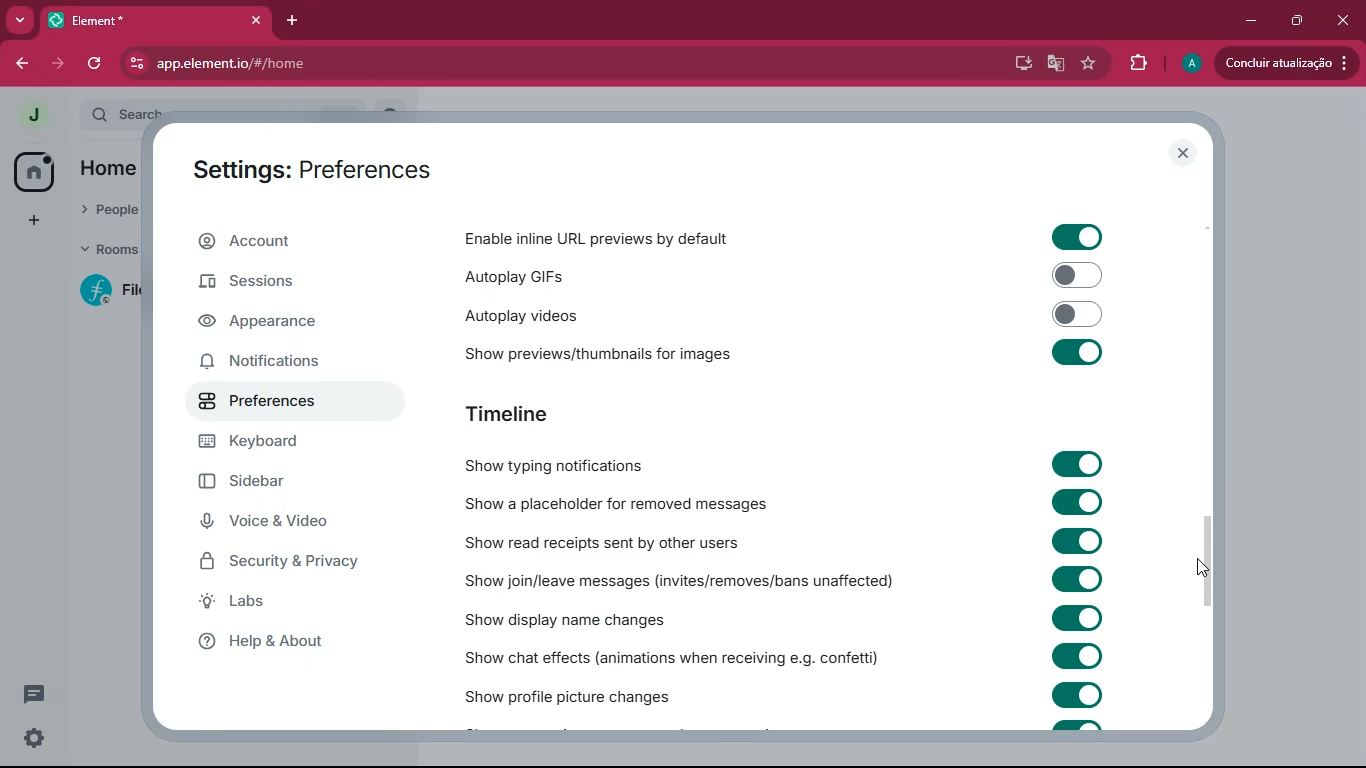  What do you see at coordinates (565, 313) in the screenshot?
I see `autoplay videos` at bounding box center [565, 313].